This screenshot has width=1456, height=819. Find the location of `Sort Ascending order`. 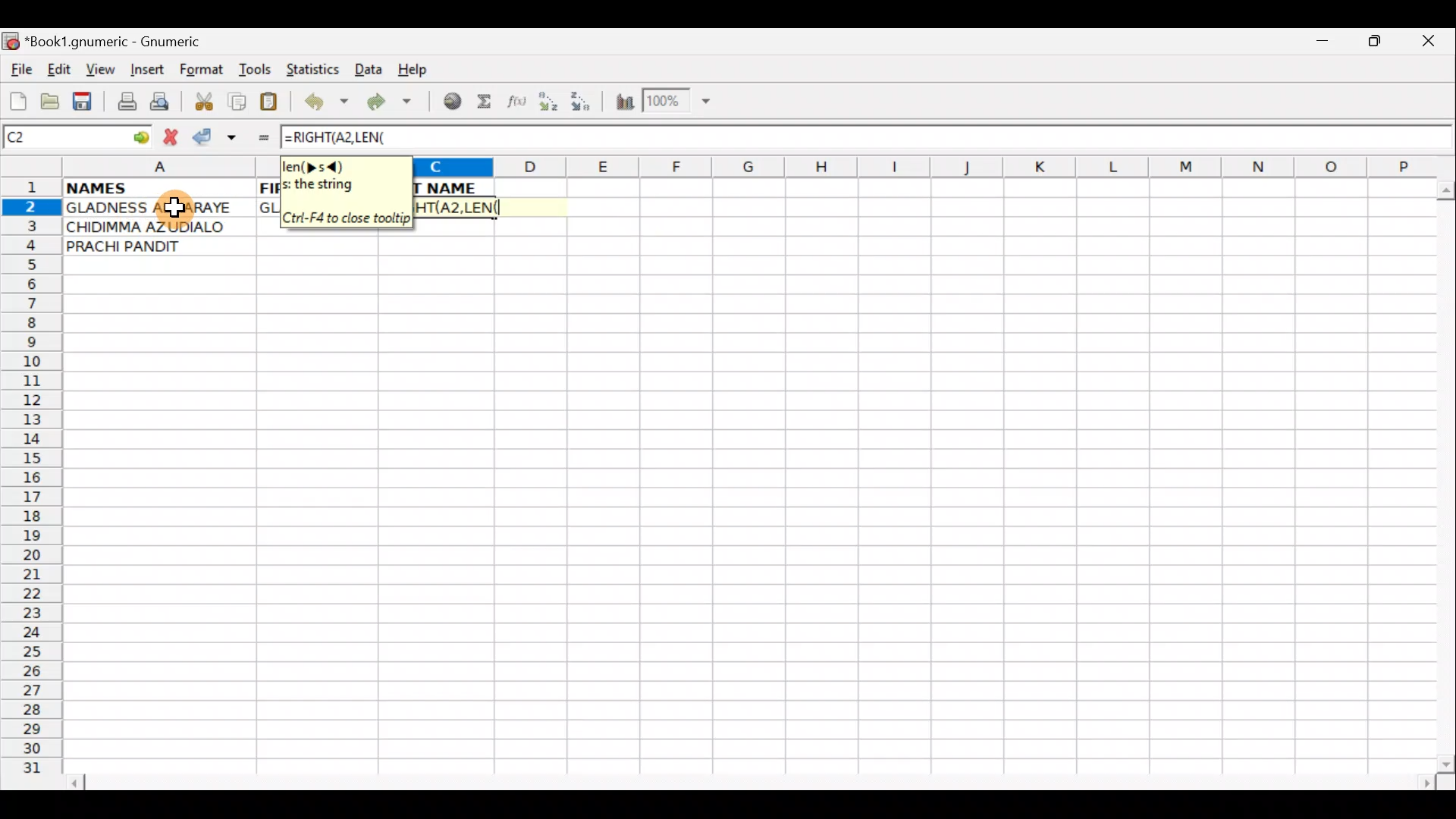

Sort Ascending order is located at coordinates (553, 105).